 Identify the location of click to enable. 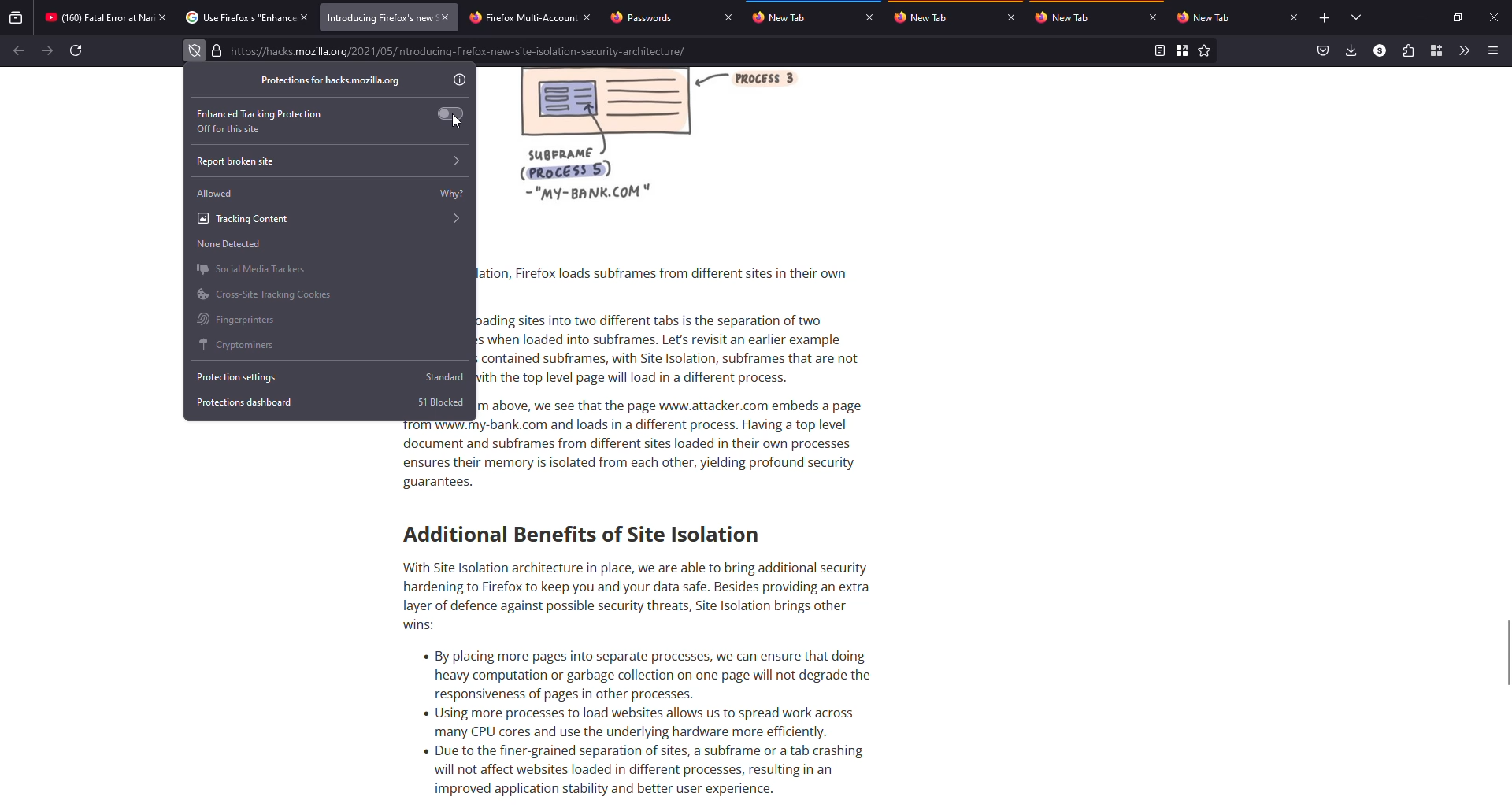
(452, 113).